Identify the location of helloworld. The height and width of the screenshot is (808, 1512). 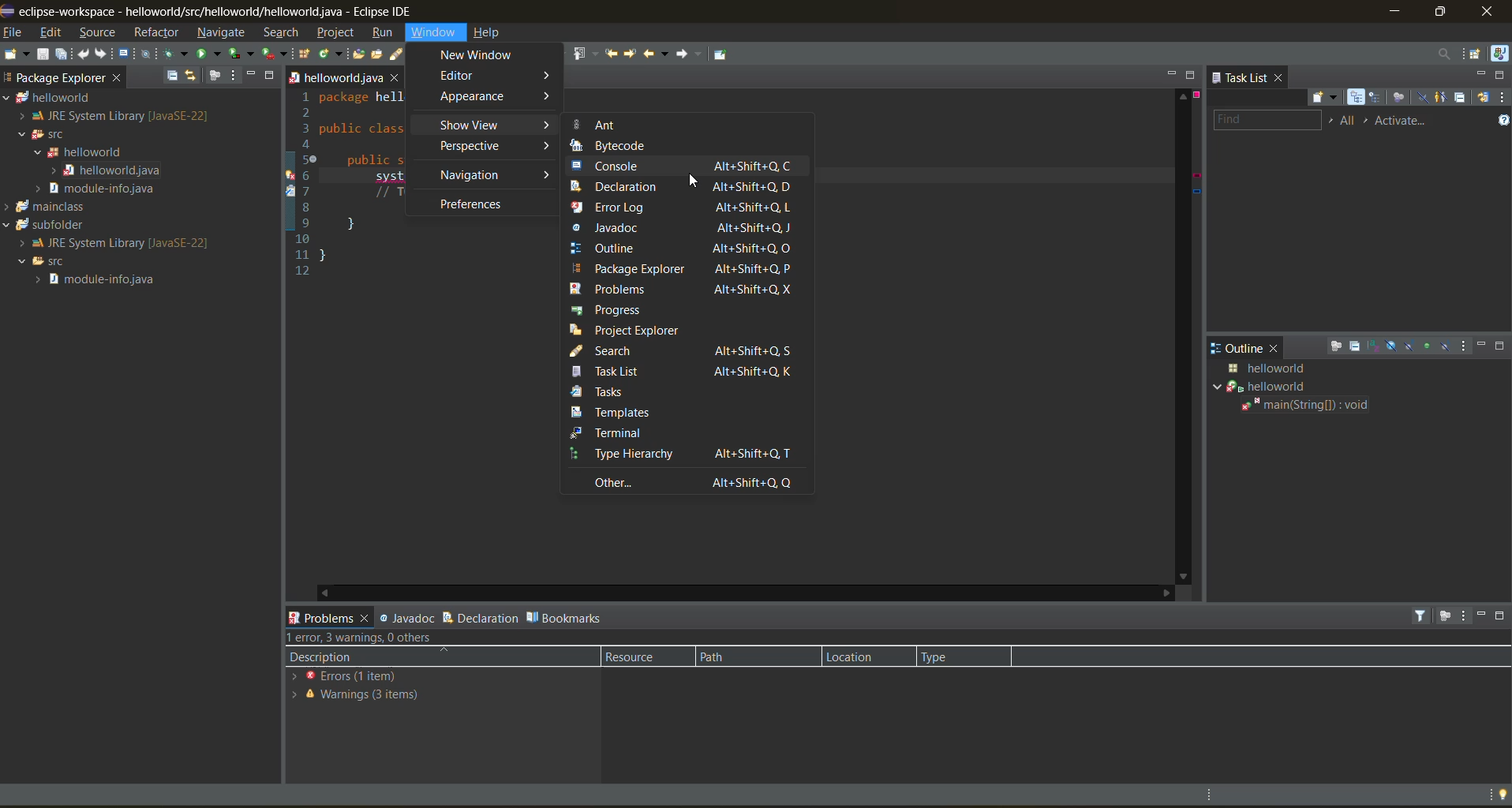
(1300, 386).